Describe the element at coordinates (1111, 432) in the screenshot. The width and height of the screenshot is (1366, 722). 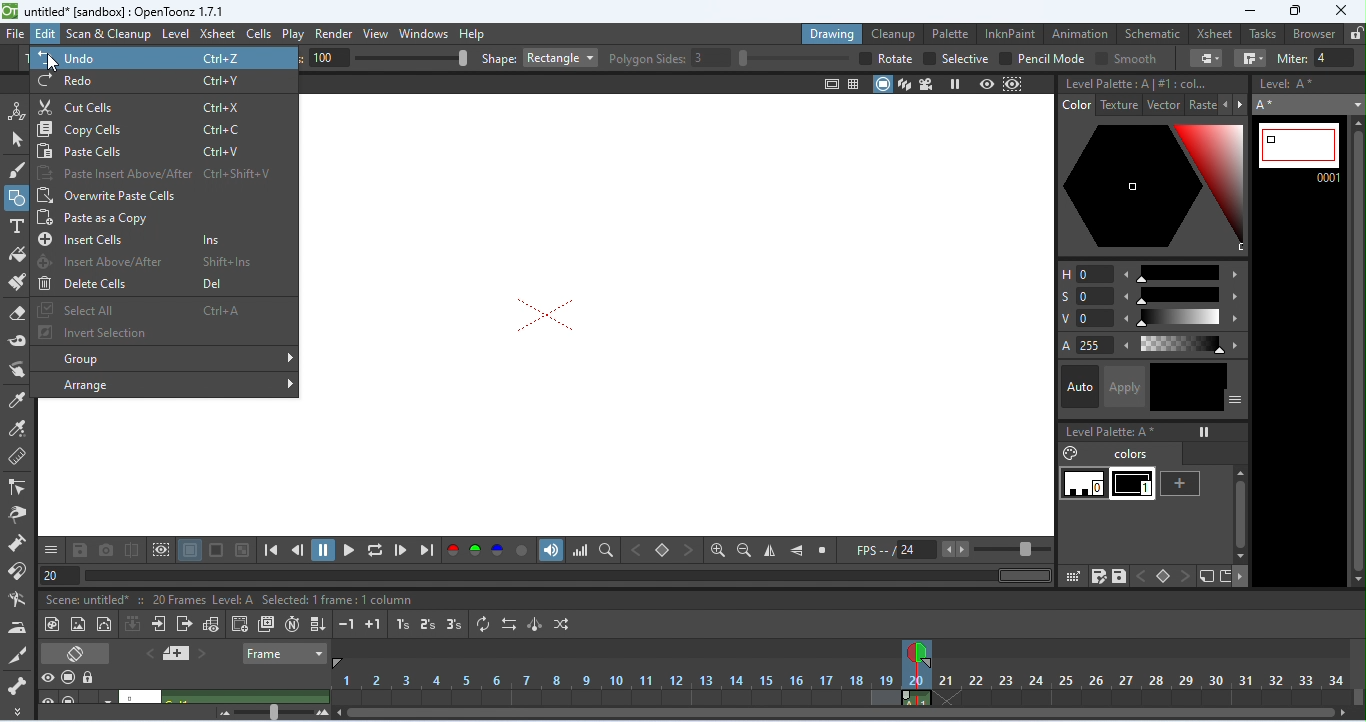
I see `level palette A` at that location.